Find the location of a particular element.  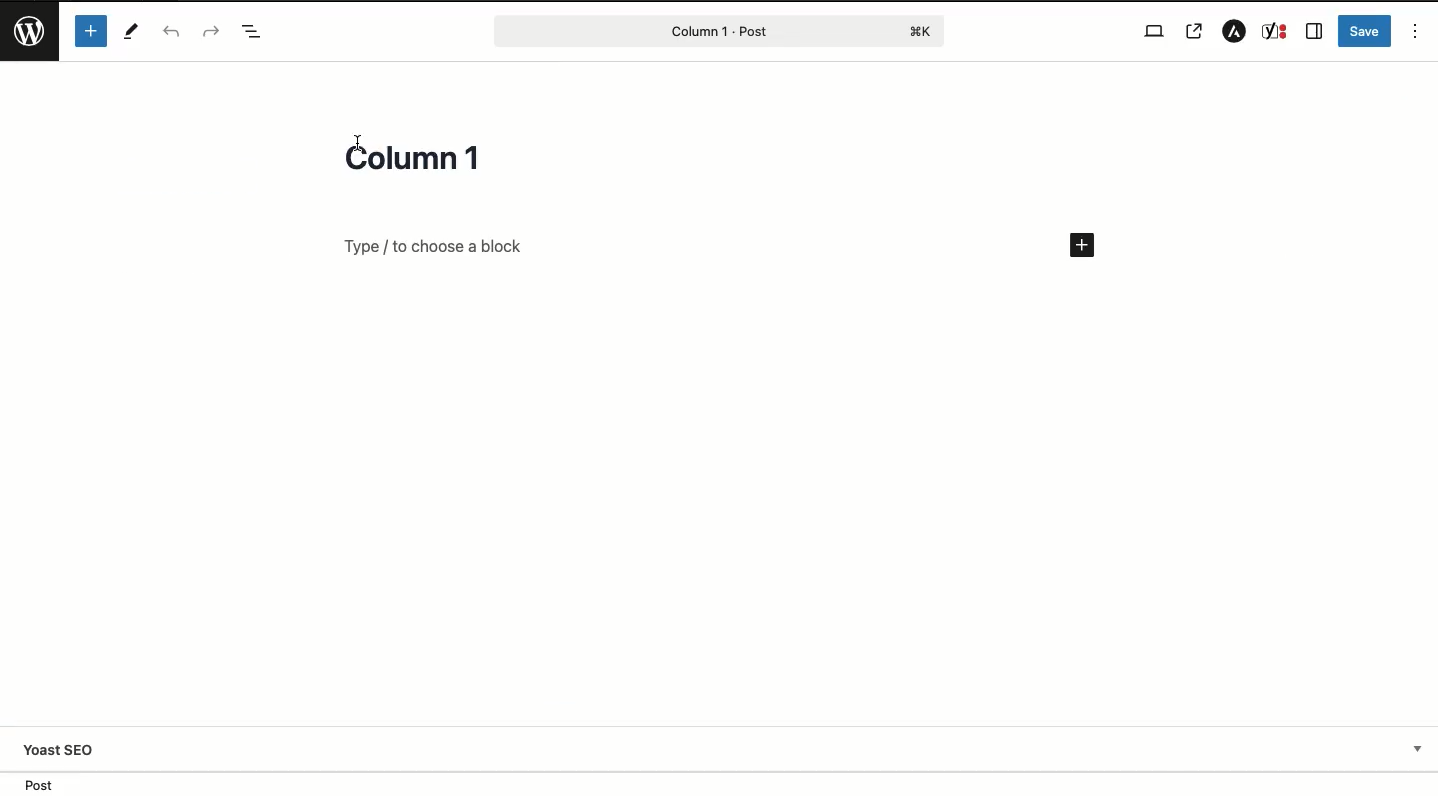

Post is located at coordinates (718, 30).